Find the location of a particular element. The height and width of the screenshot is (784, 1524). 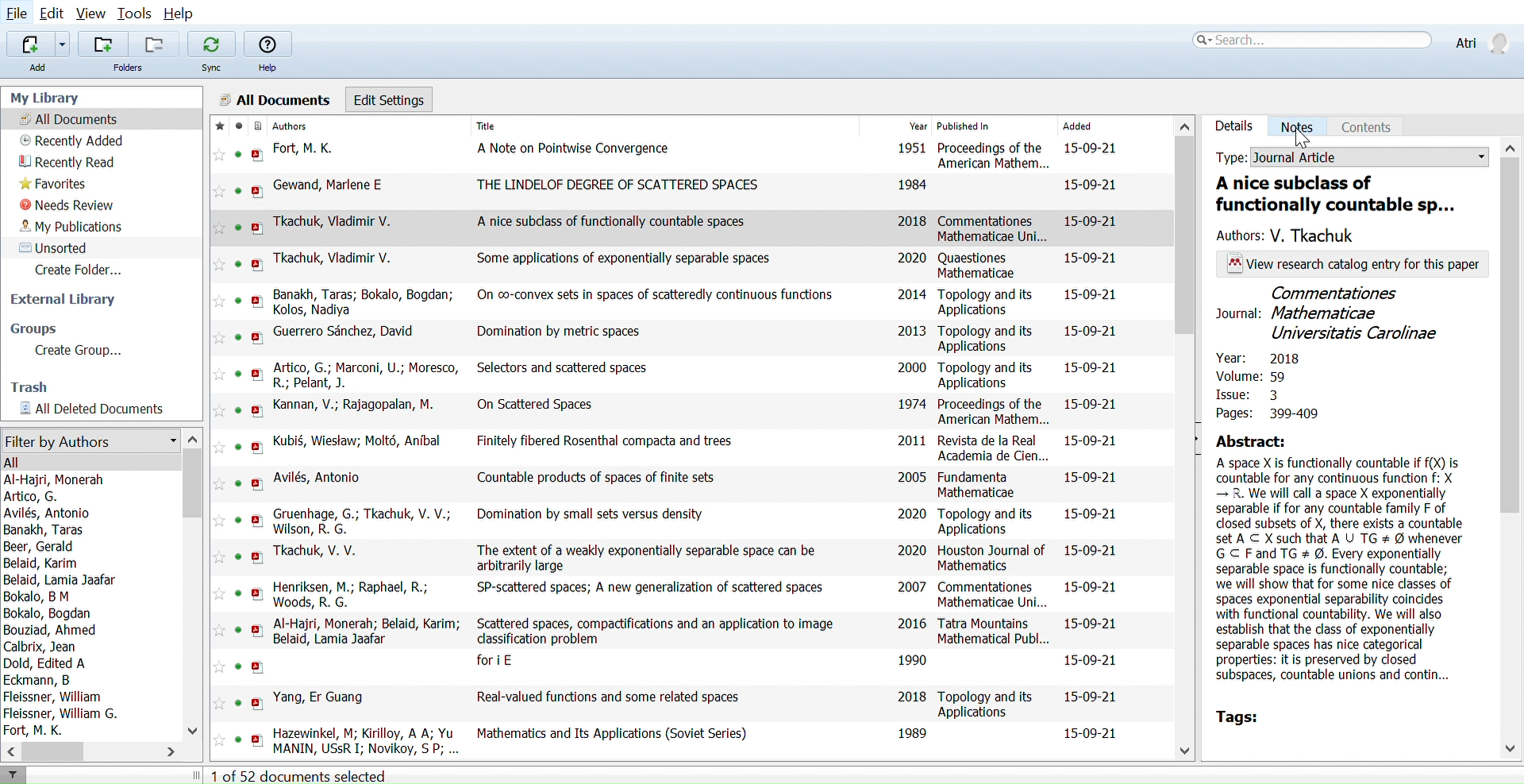

Fort, M. K. is located at coordinates (308, 148).